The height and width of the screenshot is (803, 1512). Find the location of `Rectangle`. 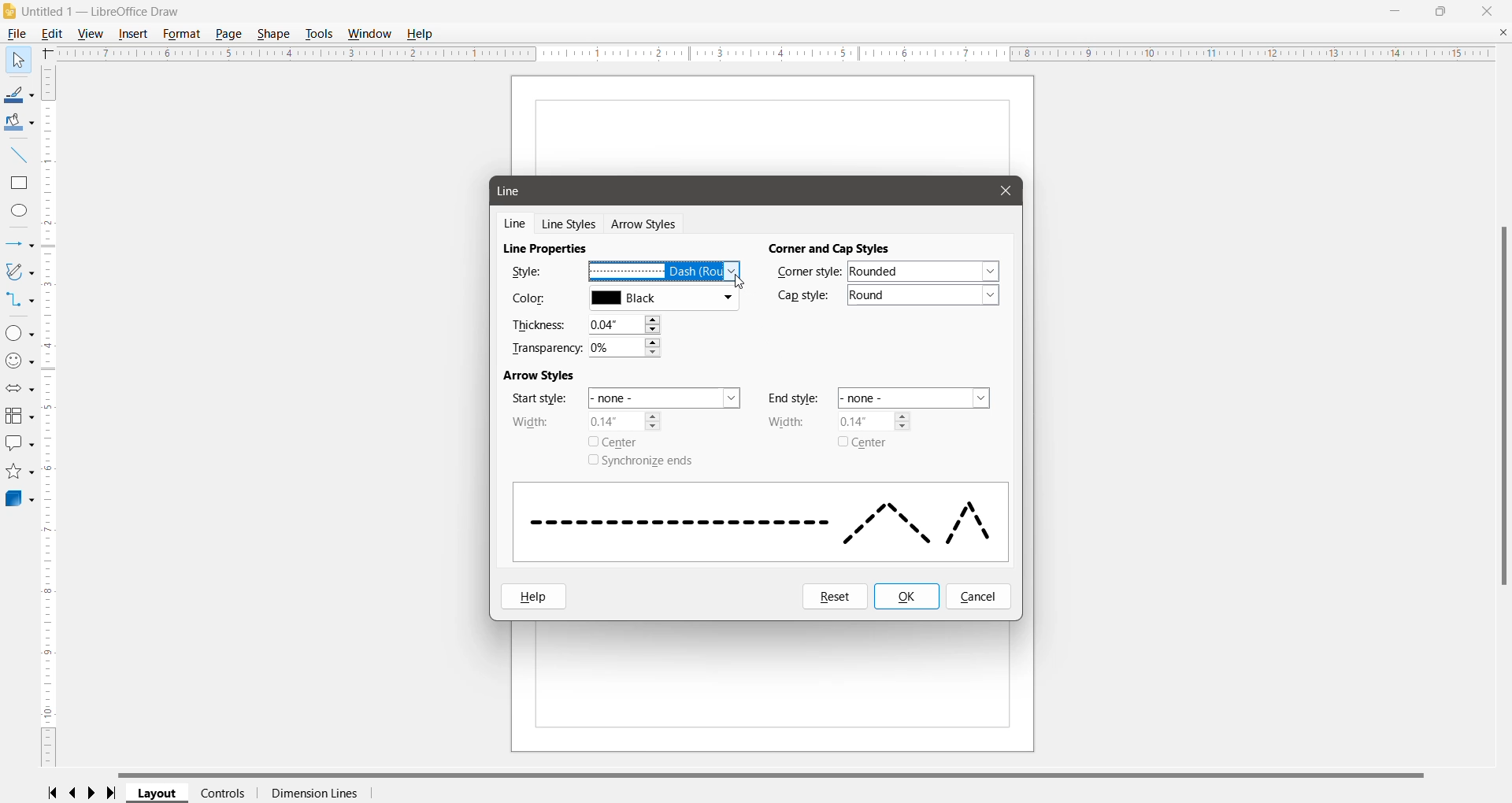

Rectangle is located at coordinates (19, 183).